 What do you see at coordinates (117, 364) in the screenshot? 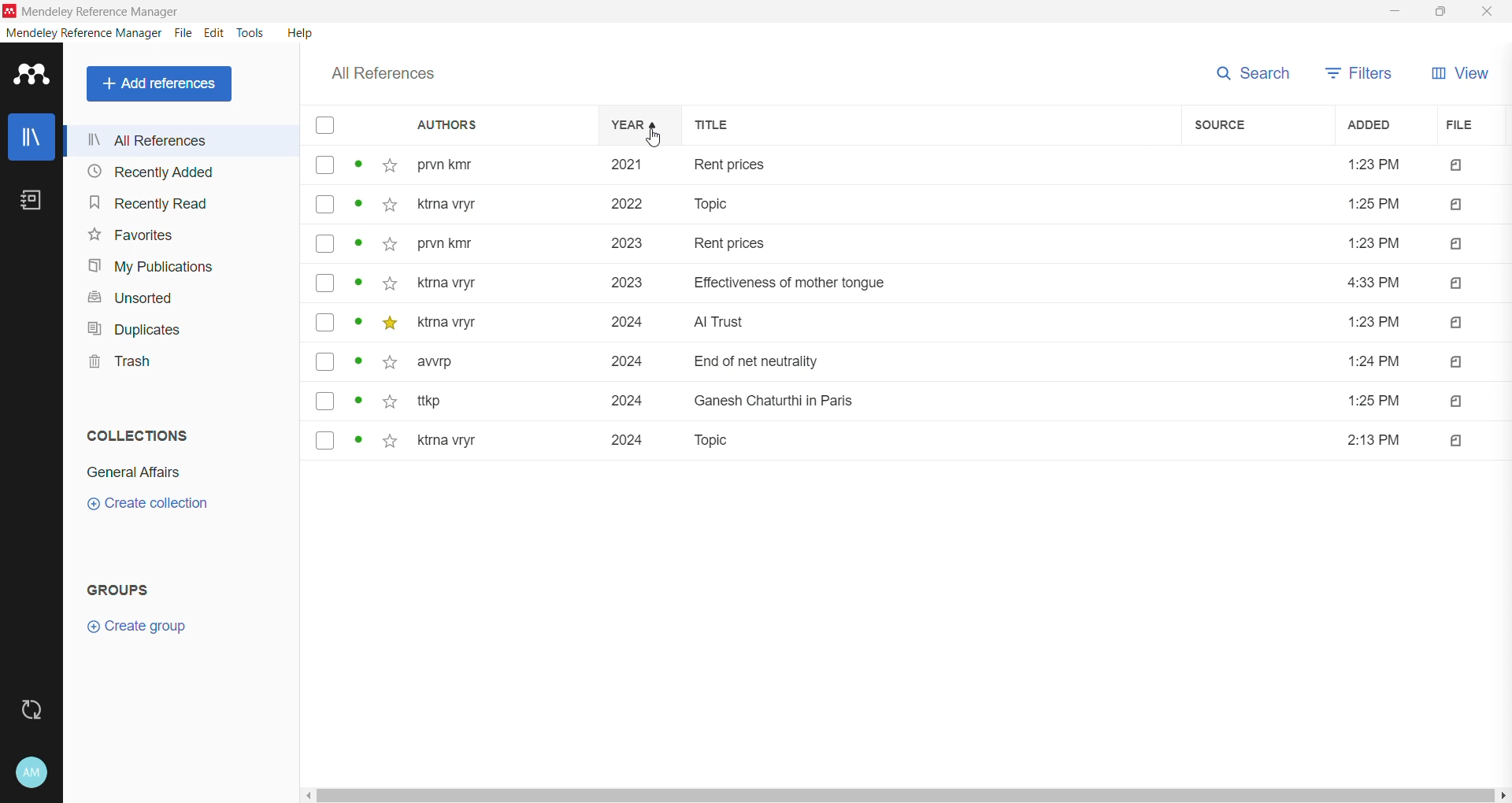
I see `Trash` at bounding box center [117, 364].